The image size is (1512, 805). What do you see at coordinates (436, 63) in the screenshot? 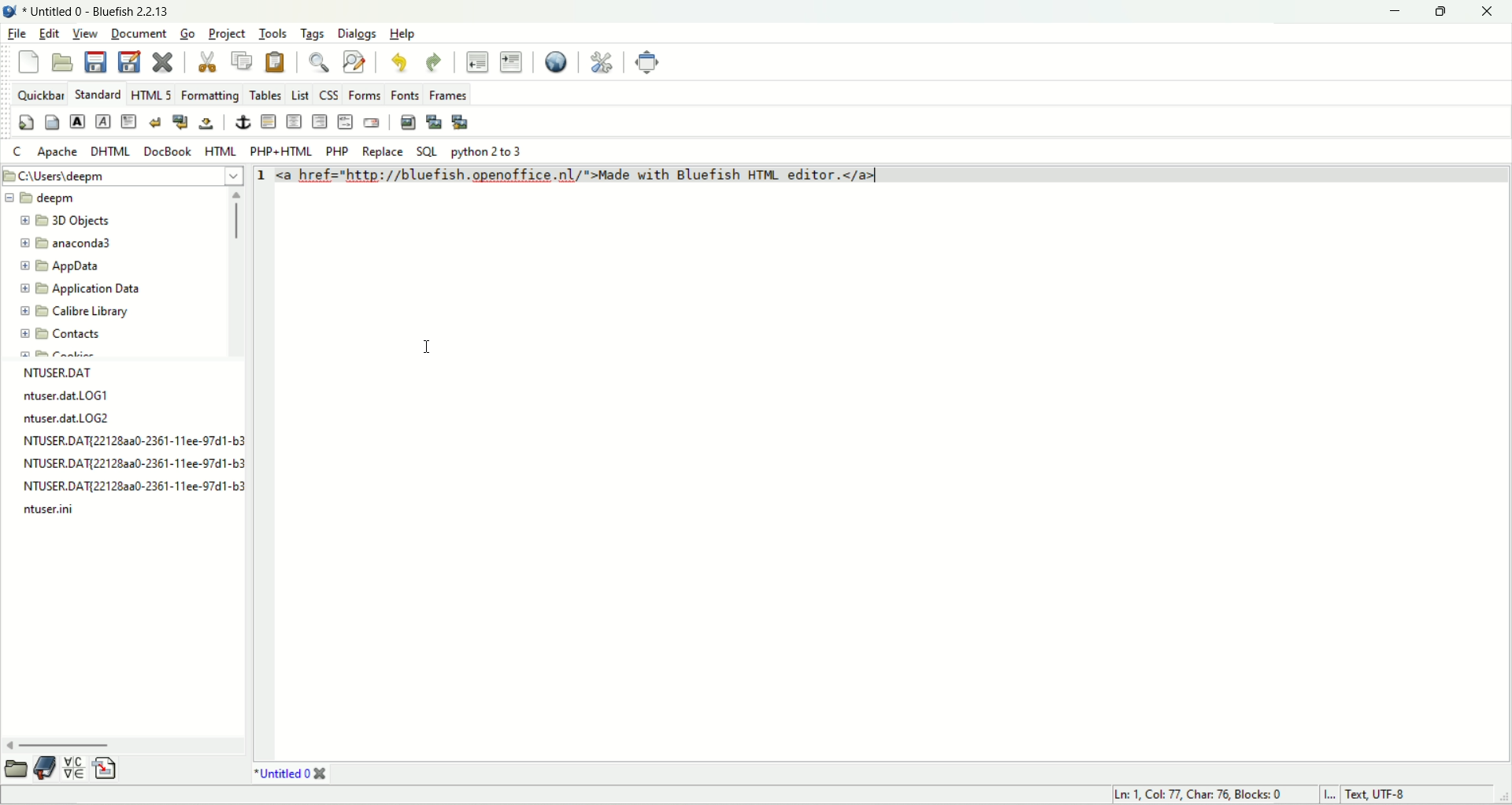
I see `redo` at bounding box center [436, 63].